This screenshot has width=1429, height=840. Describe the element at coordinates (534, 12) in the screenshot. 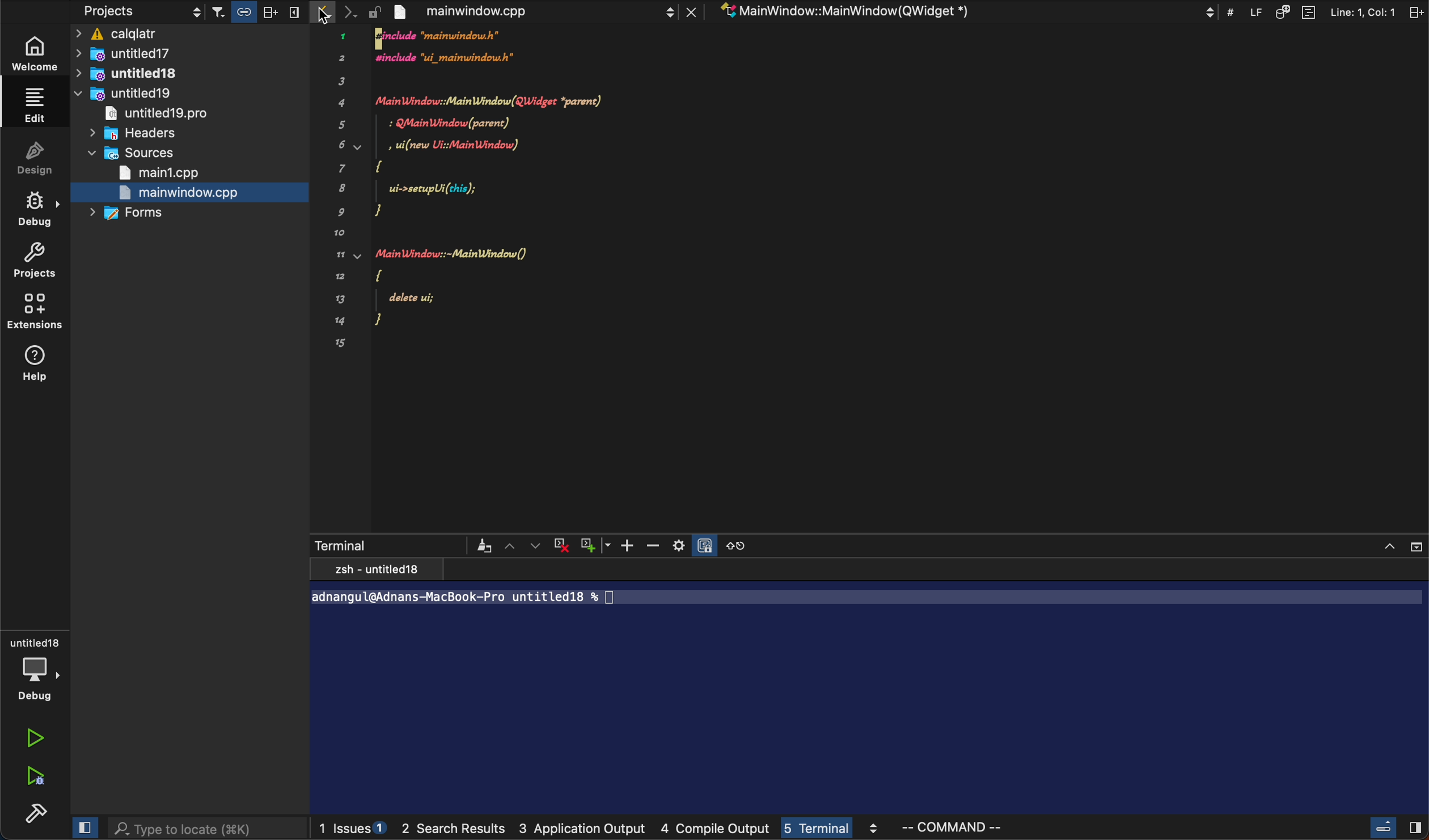

I see `file tab` at that location.